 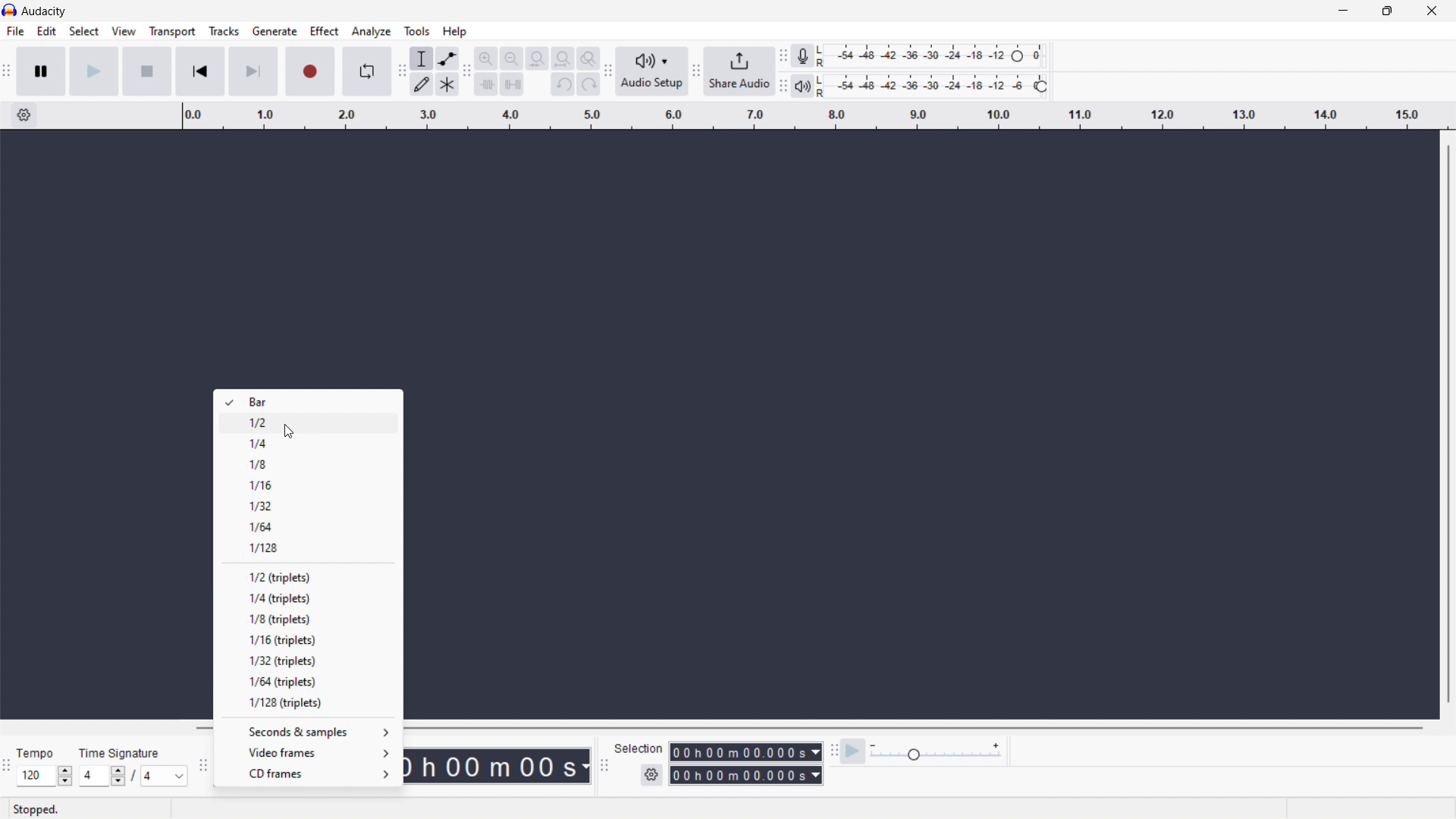 I want to click on minimize, so click(x=1341, y=11).